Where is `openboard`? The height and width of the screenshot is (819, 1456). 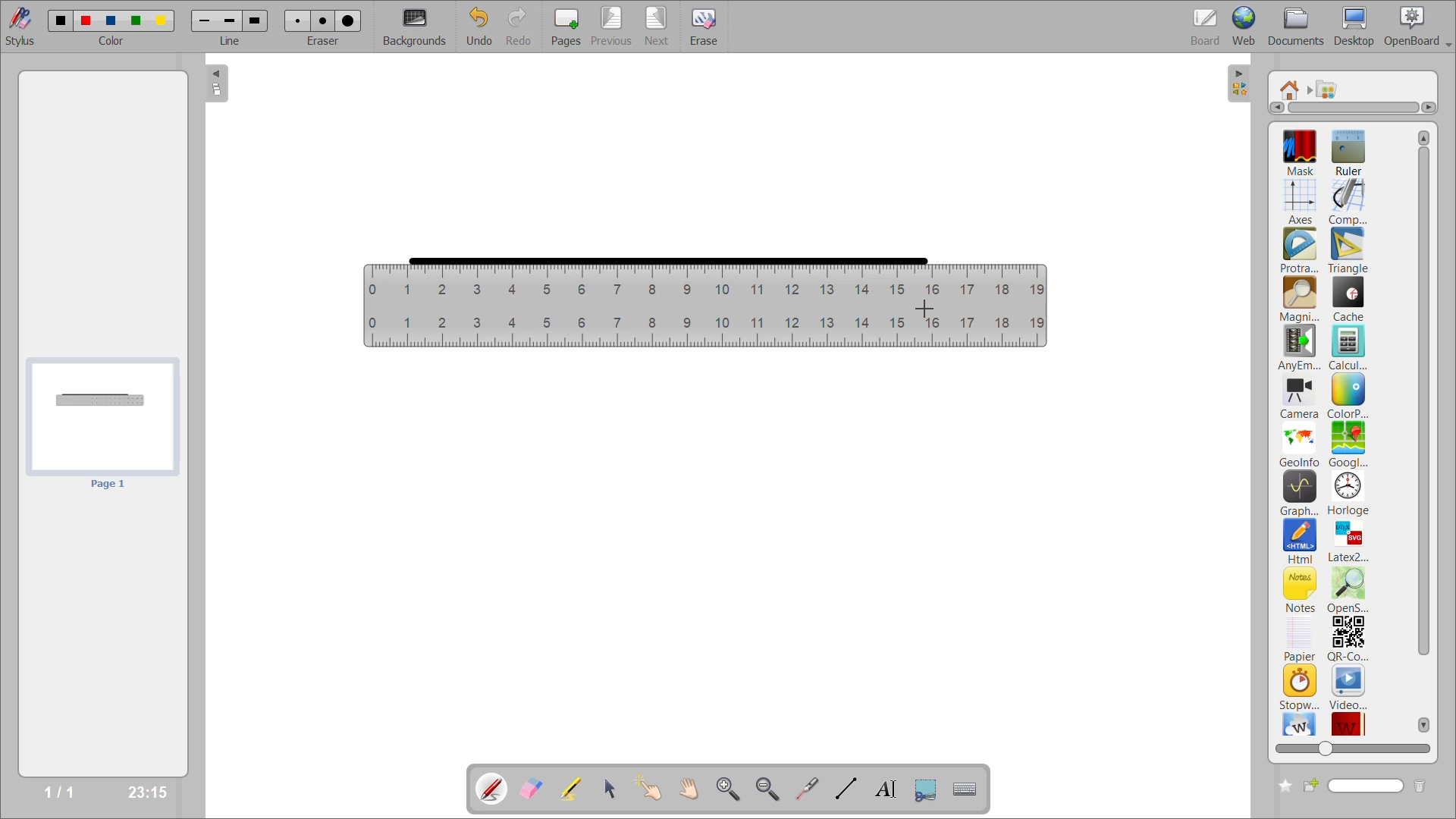 openboard is located at coordinates (1420, 27).